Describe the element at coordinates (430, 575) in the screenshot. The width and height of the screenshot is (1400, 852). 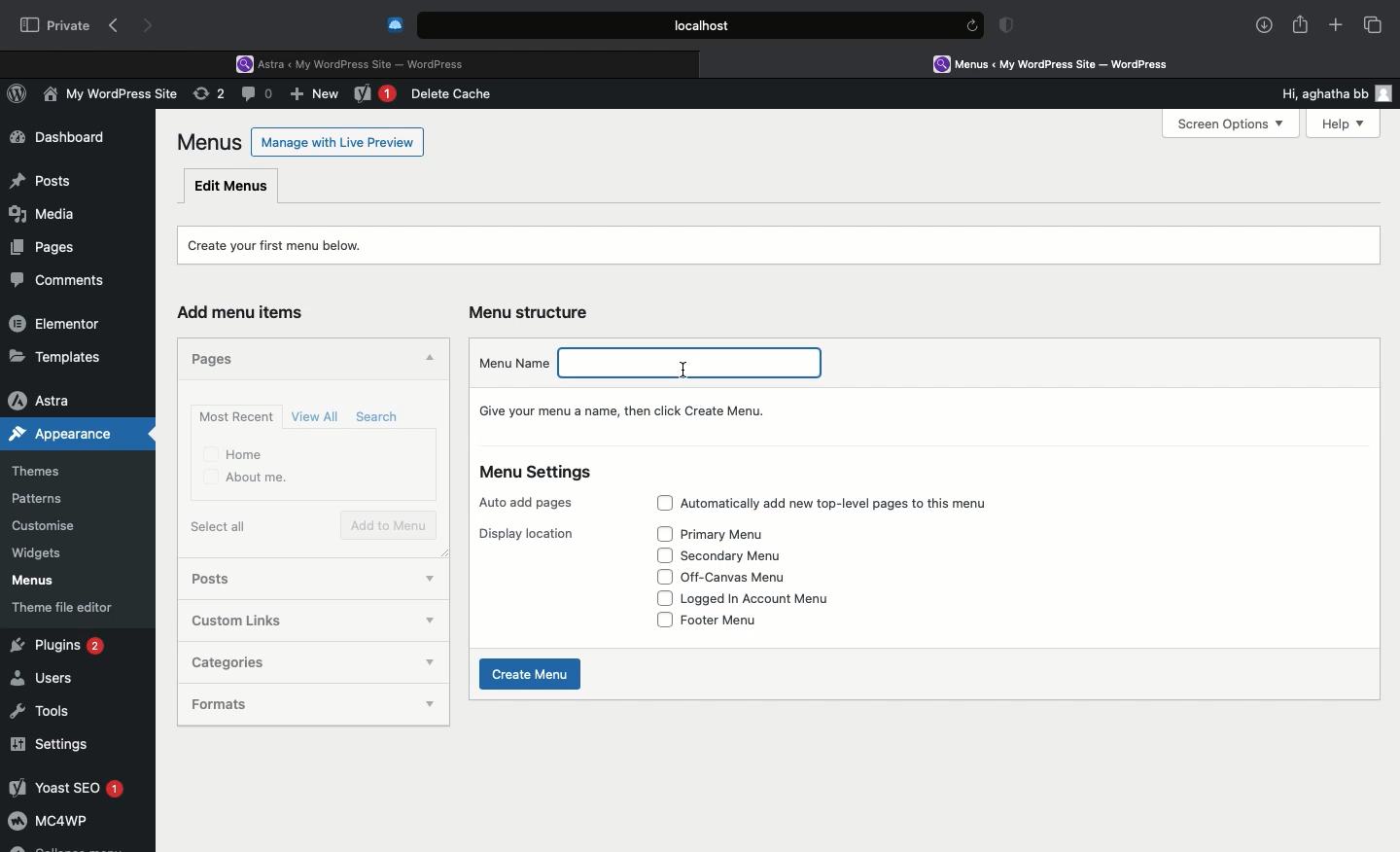
I see `Show` at that location.